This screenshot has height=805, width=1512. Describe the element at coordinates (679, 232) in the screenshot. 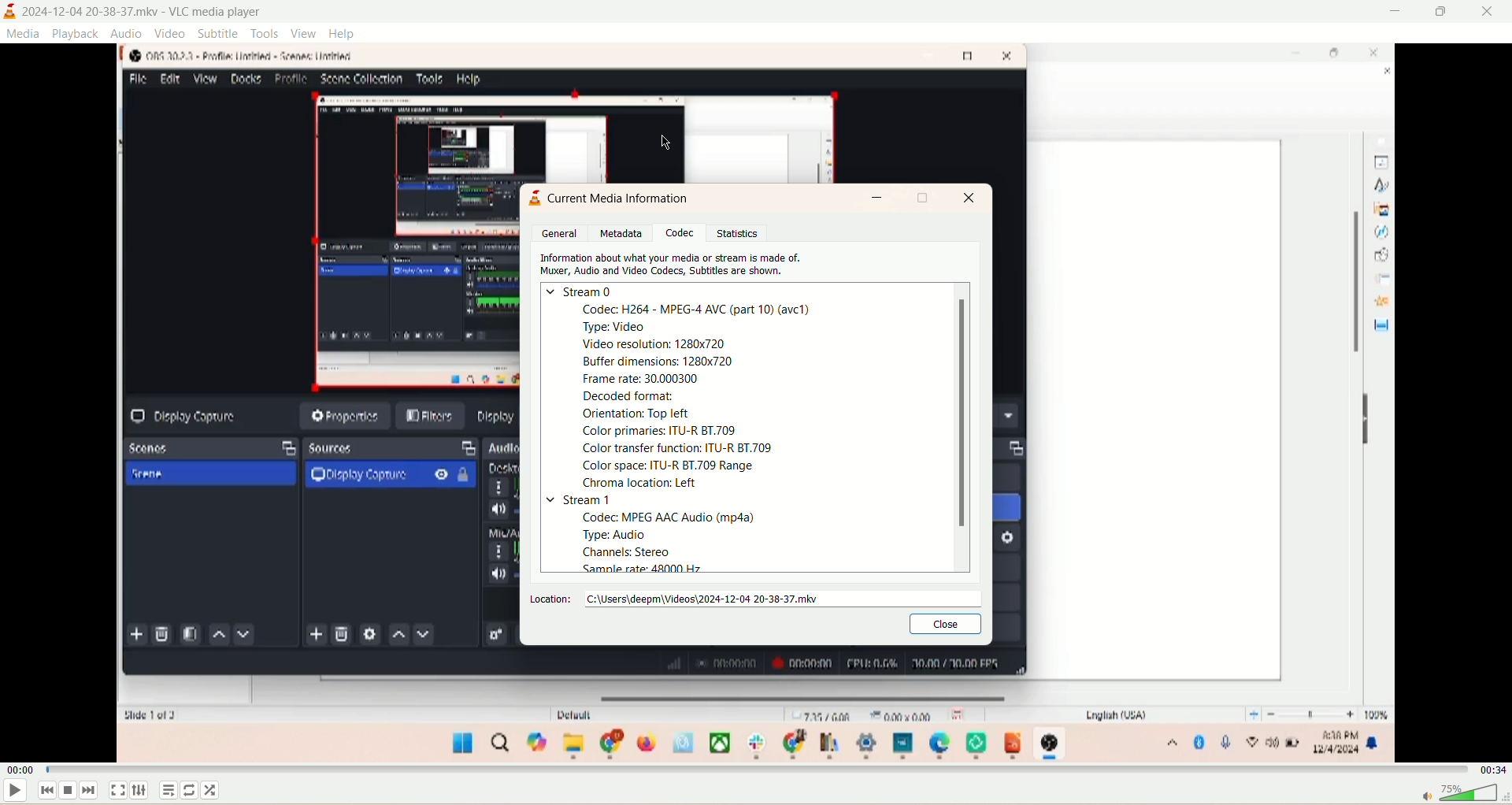

I see `codec` at that location.